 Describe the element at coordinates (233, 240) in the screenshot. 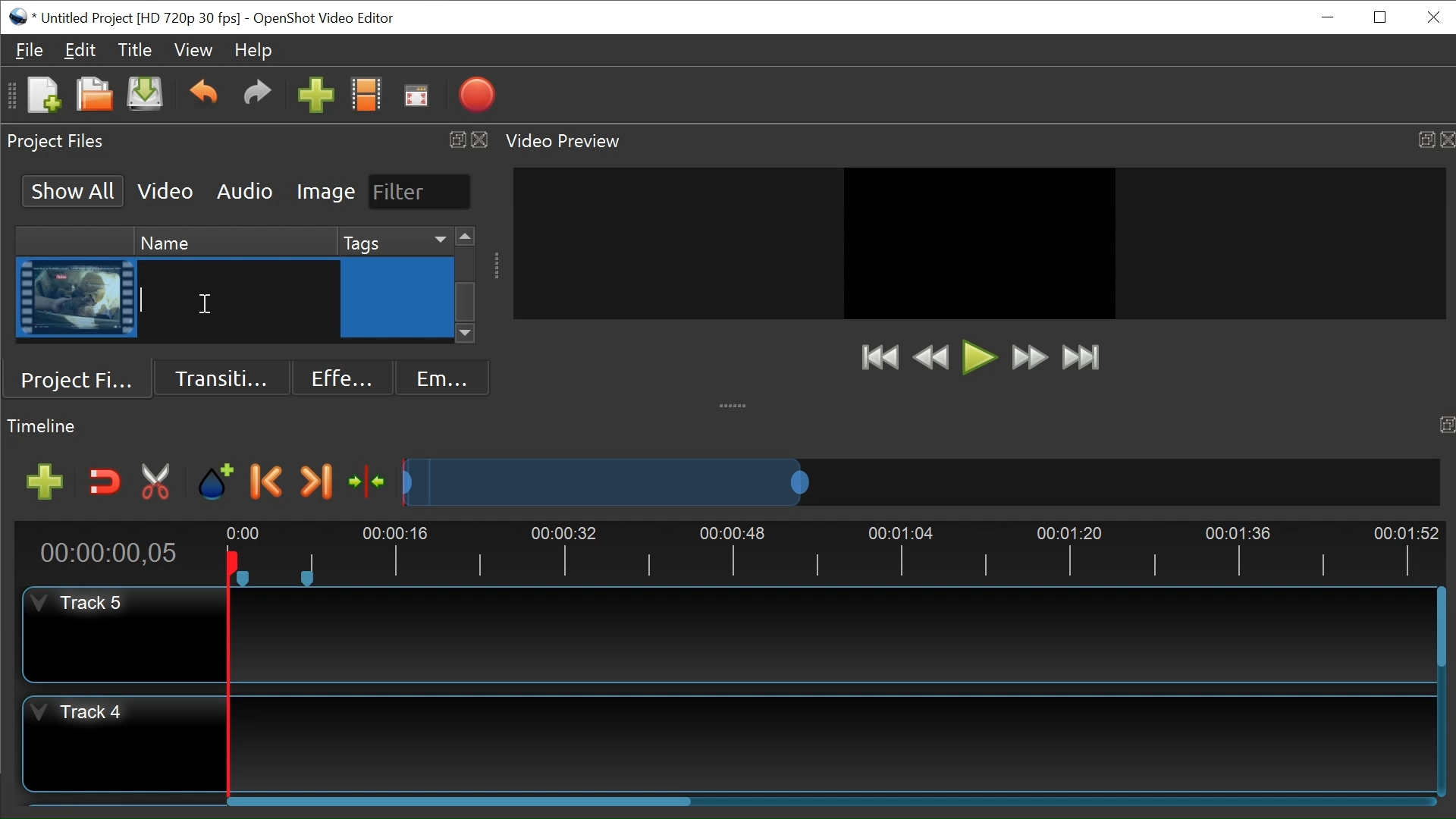

I see `Name` at that location.